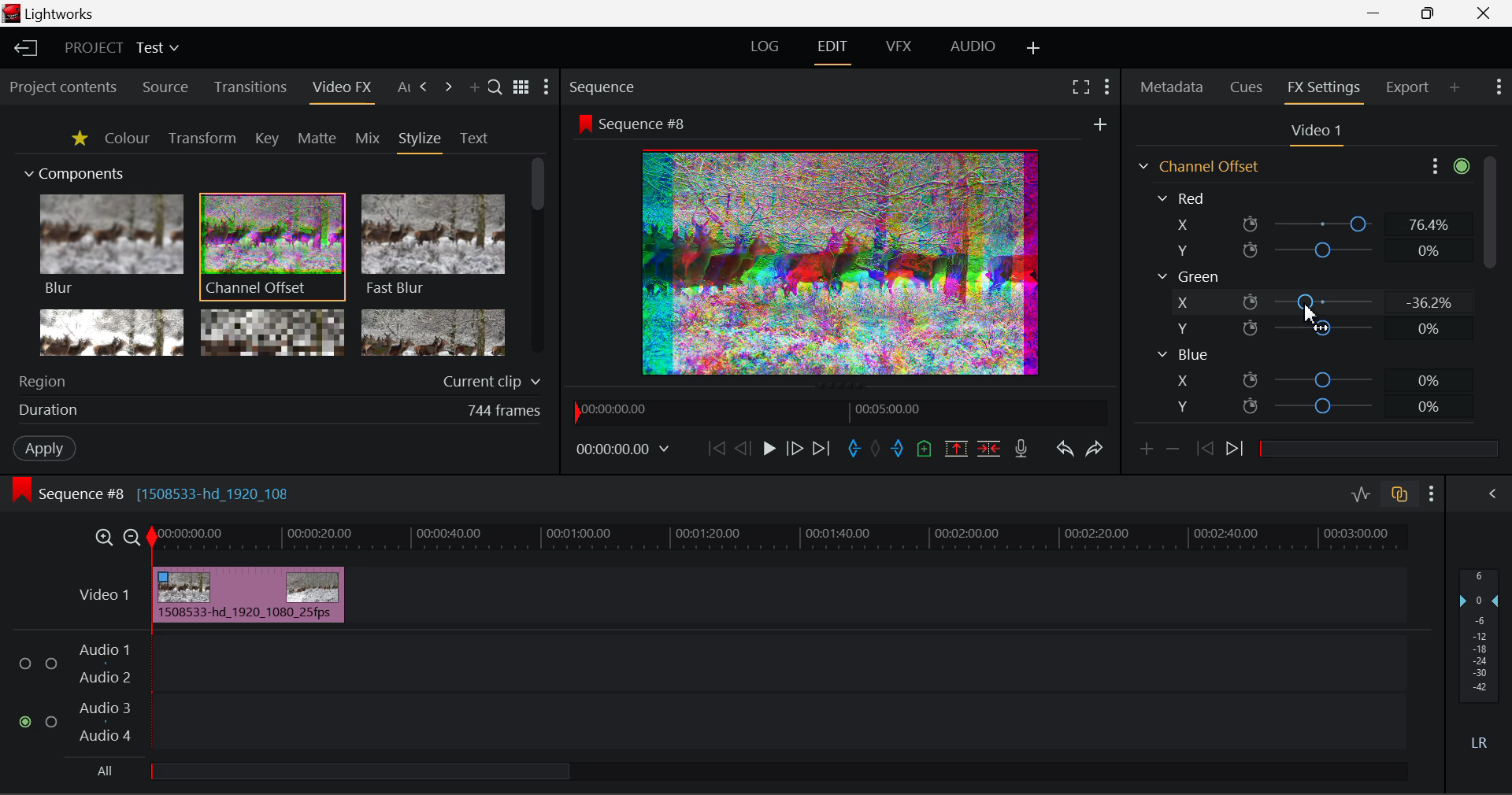 Image resolution: width=1512 pixels, height=795 pixels. Describe the element at coordinates (46, 449) in the screenshot. I see `Apply` at that location.